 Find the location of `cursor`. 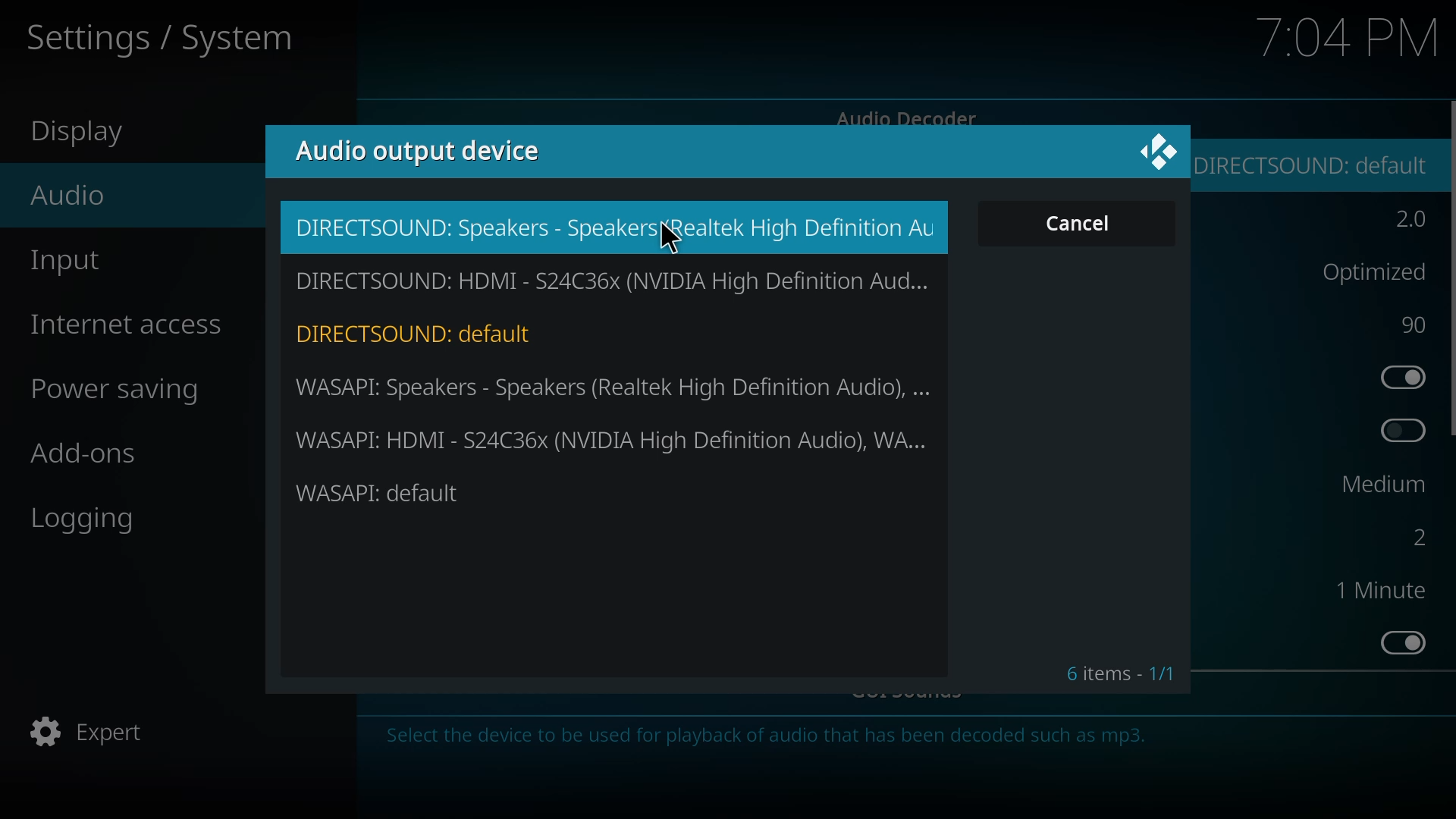

cursor is located at coordinates (670, 239).